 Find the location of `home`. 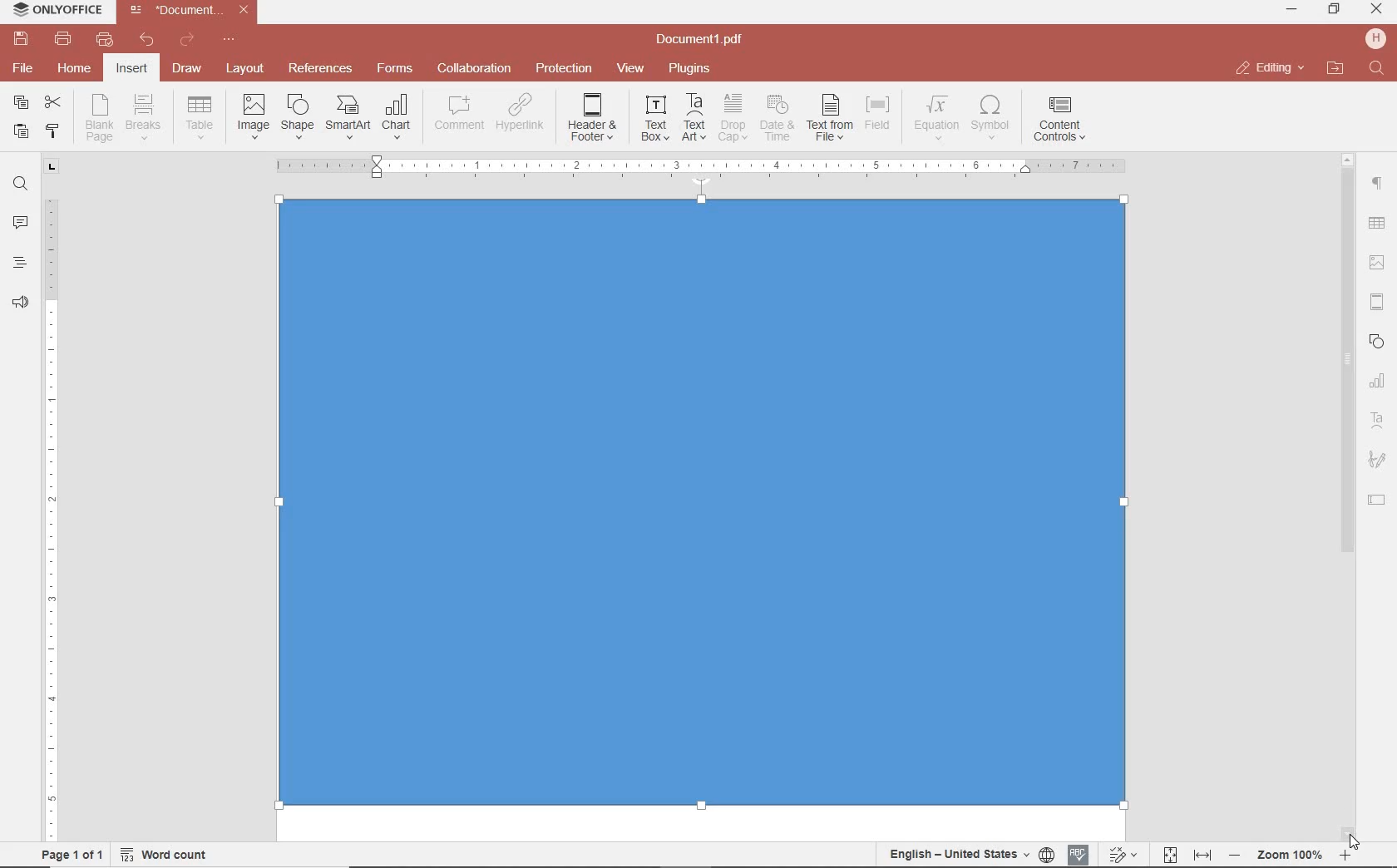

home is located at coordinates (72, 67).